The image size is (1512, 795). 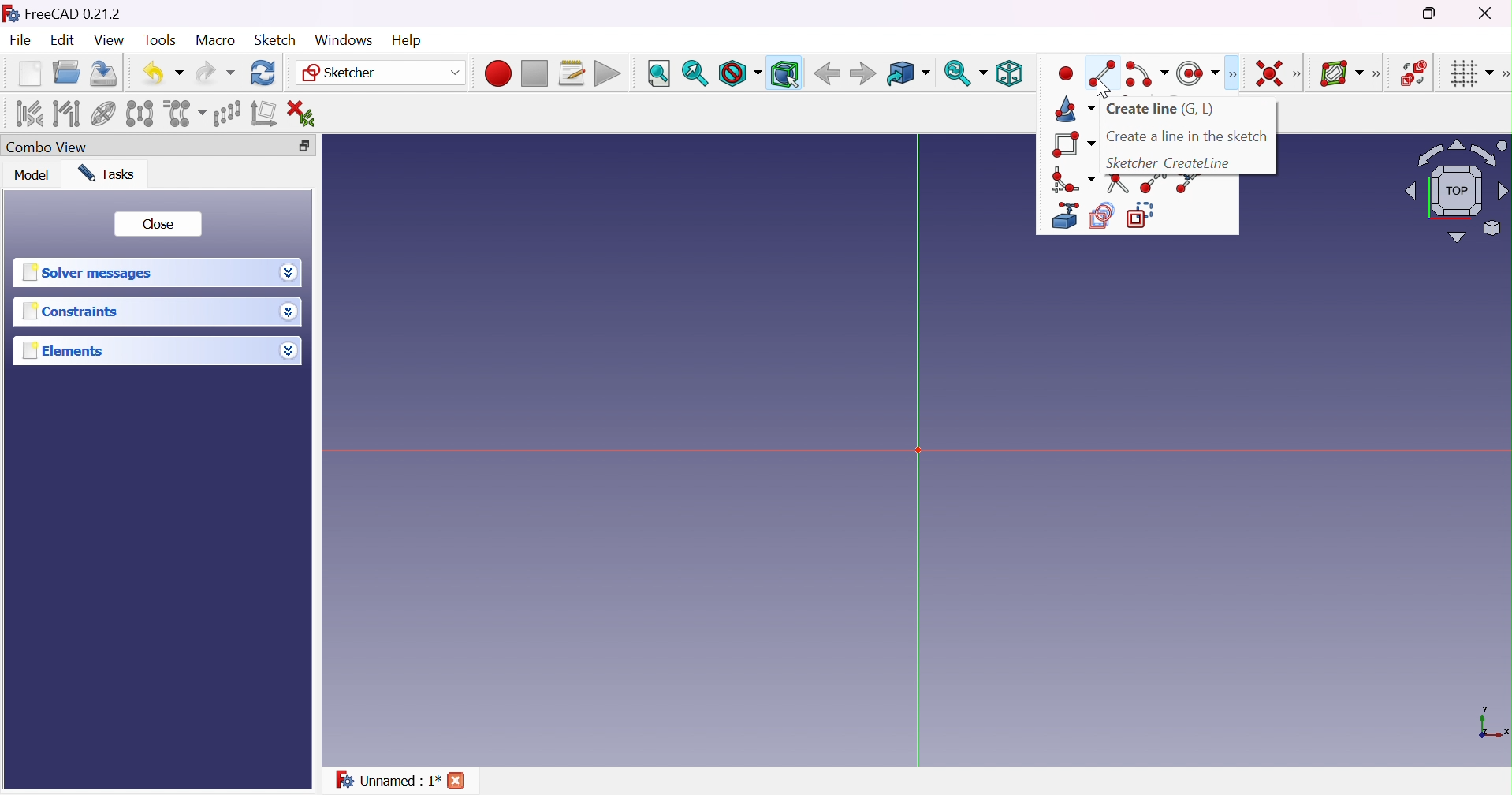 What do you see at coordinates (497, 73) in the screenshot?
I see `Macros recording` at bounding box center [497, 73].